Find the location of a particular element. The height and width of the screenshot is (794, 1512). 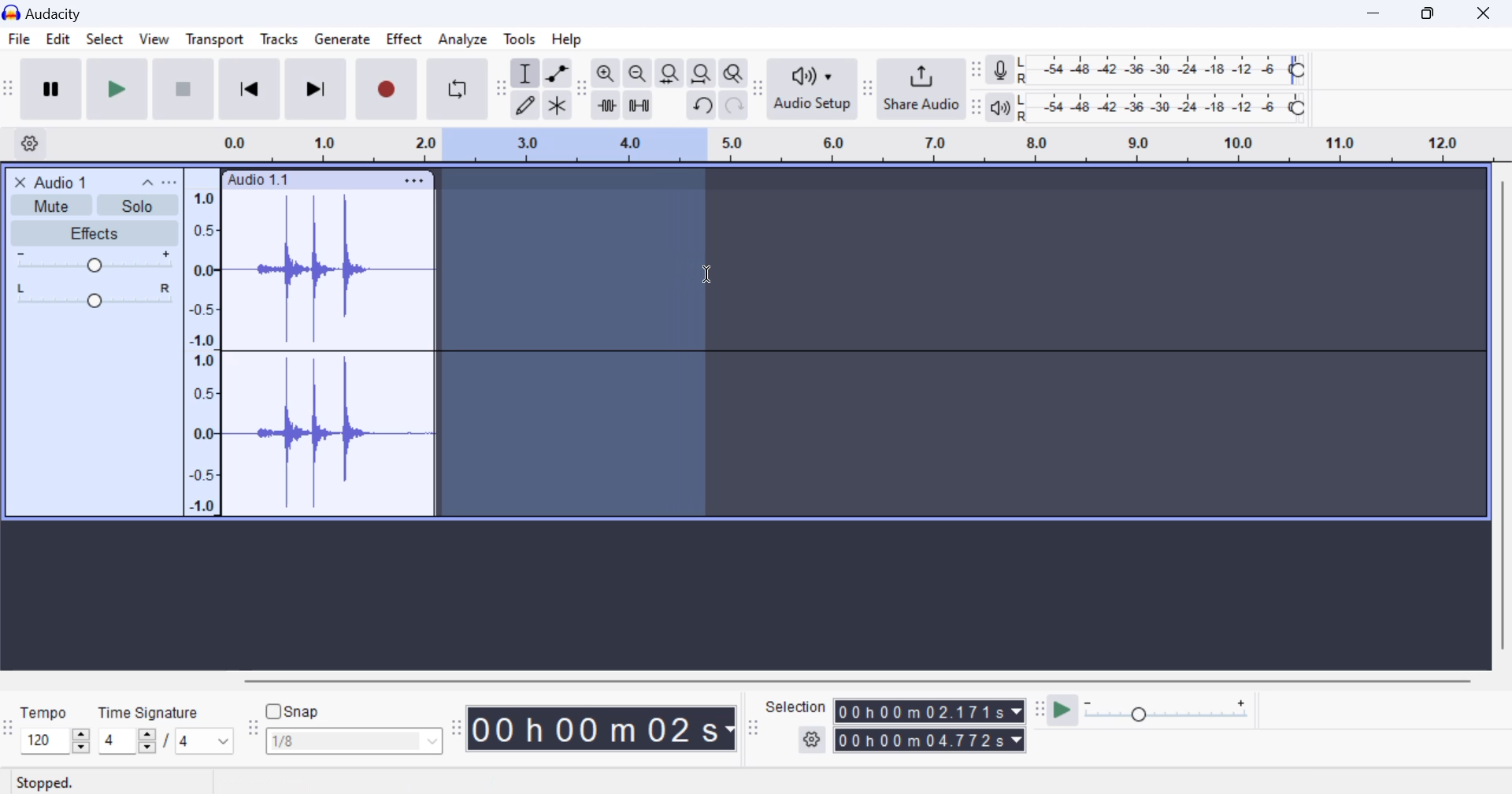

undo is located at coordinates (703, 106).